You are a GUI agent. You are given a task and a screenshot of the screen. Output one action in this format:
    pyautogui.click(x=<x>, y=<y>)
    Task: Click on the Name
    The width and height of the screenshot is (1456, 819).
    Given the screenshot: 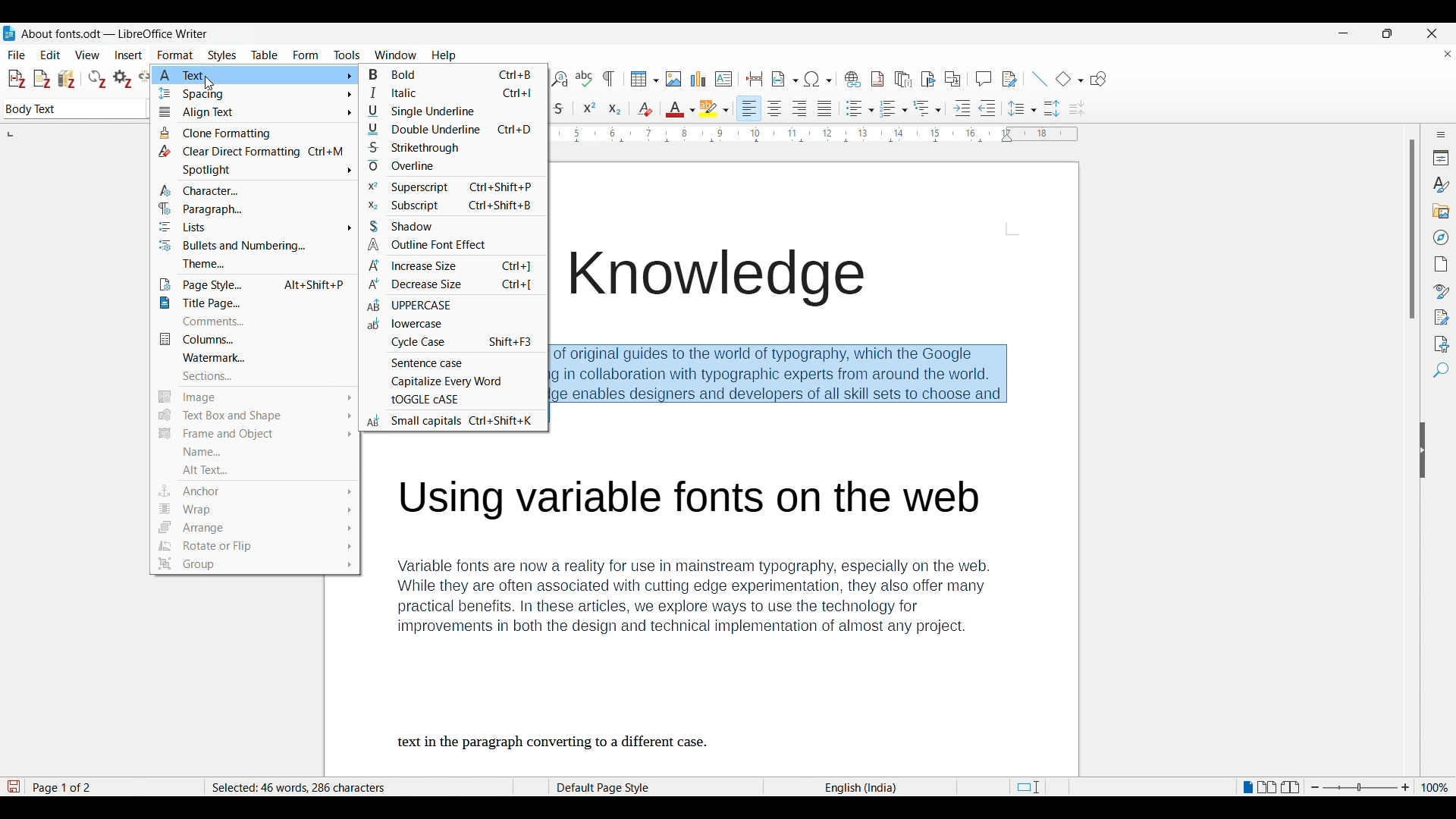 What is the action you would take?
    pyautogui.click(x=253, y=454)
    